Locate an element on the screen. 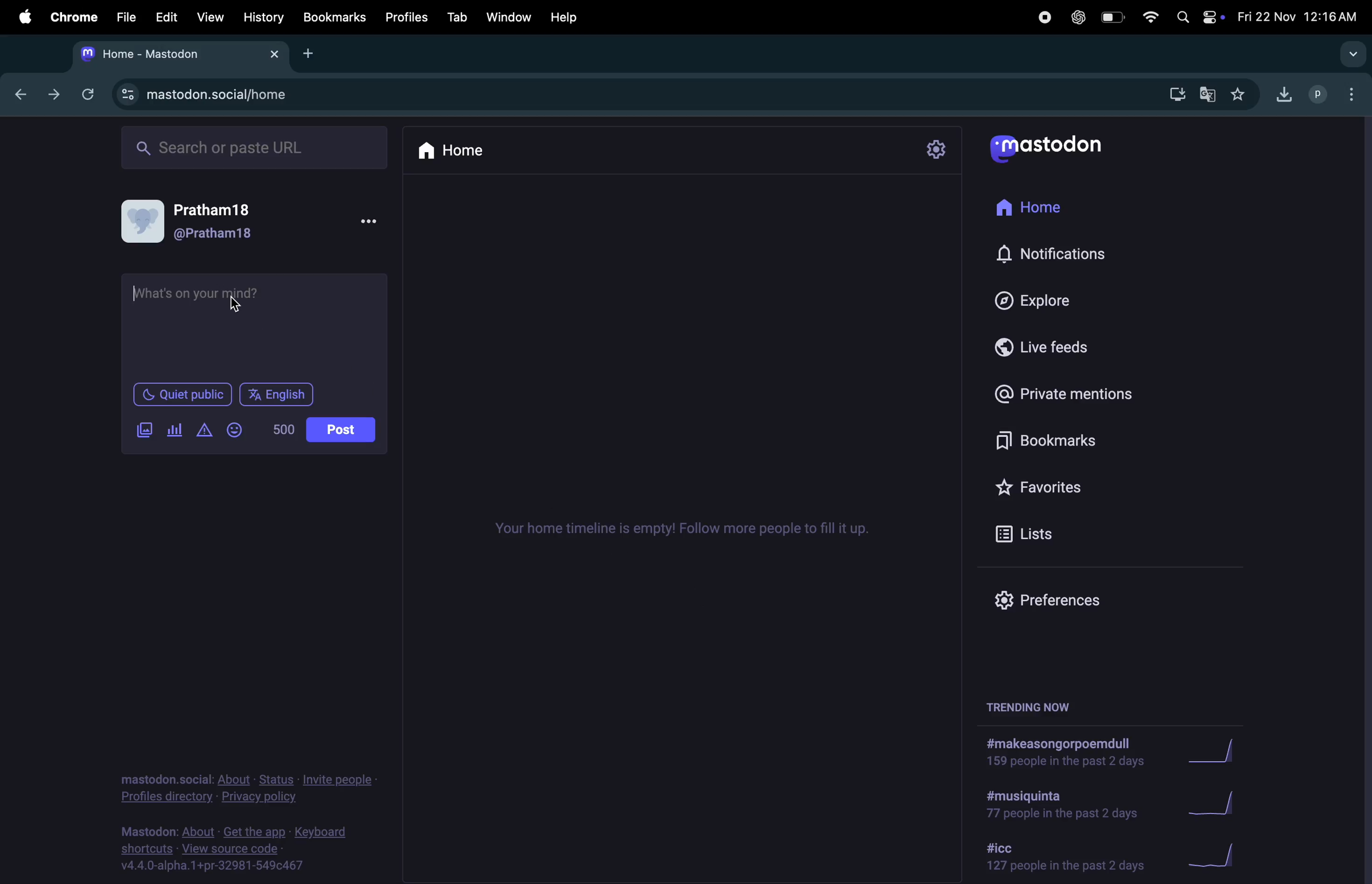 This screenshot has width=1372, height=884. chatgpt is located at coordinates (1077, 18).